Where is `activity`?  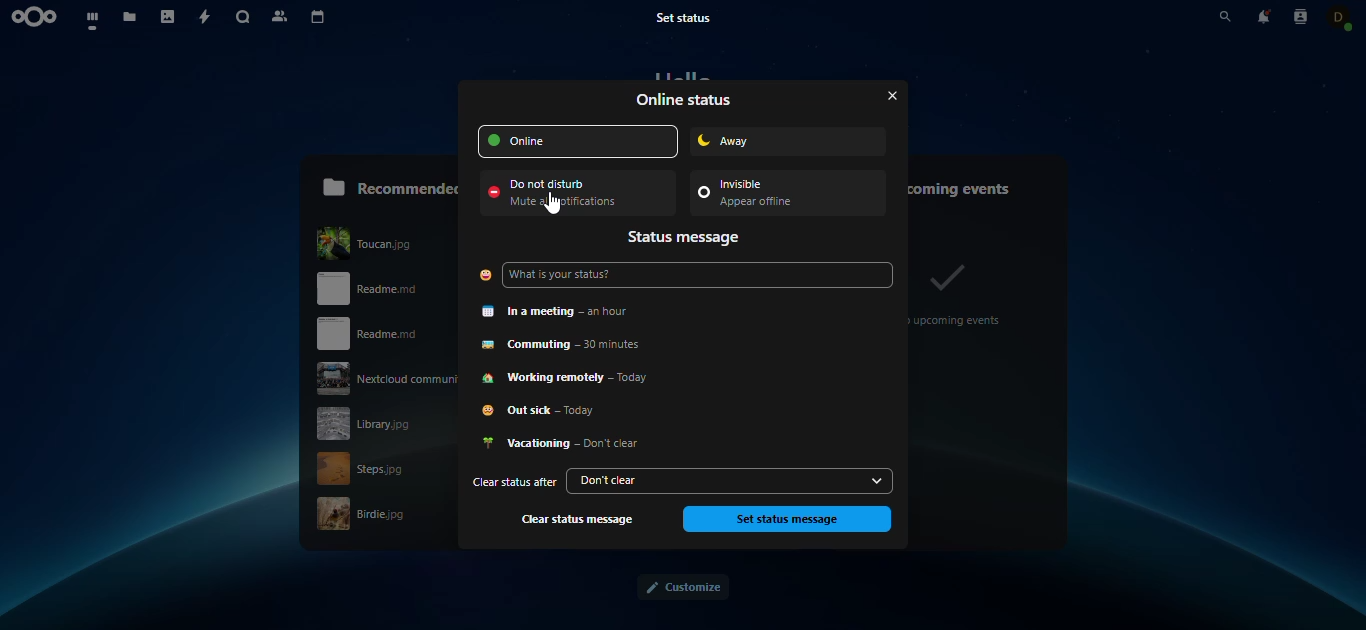 activity is located at coordinates (207, 18).